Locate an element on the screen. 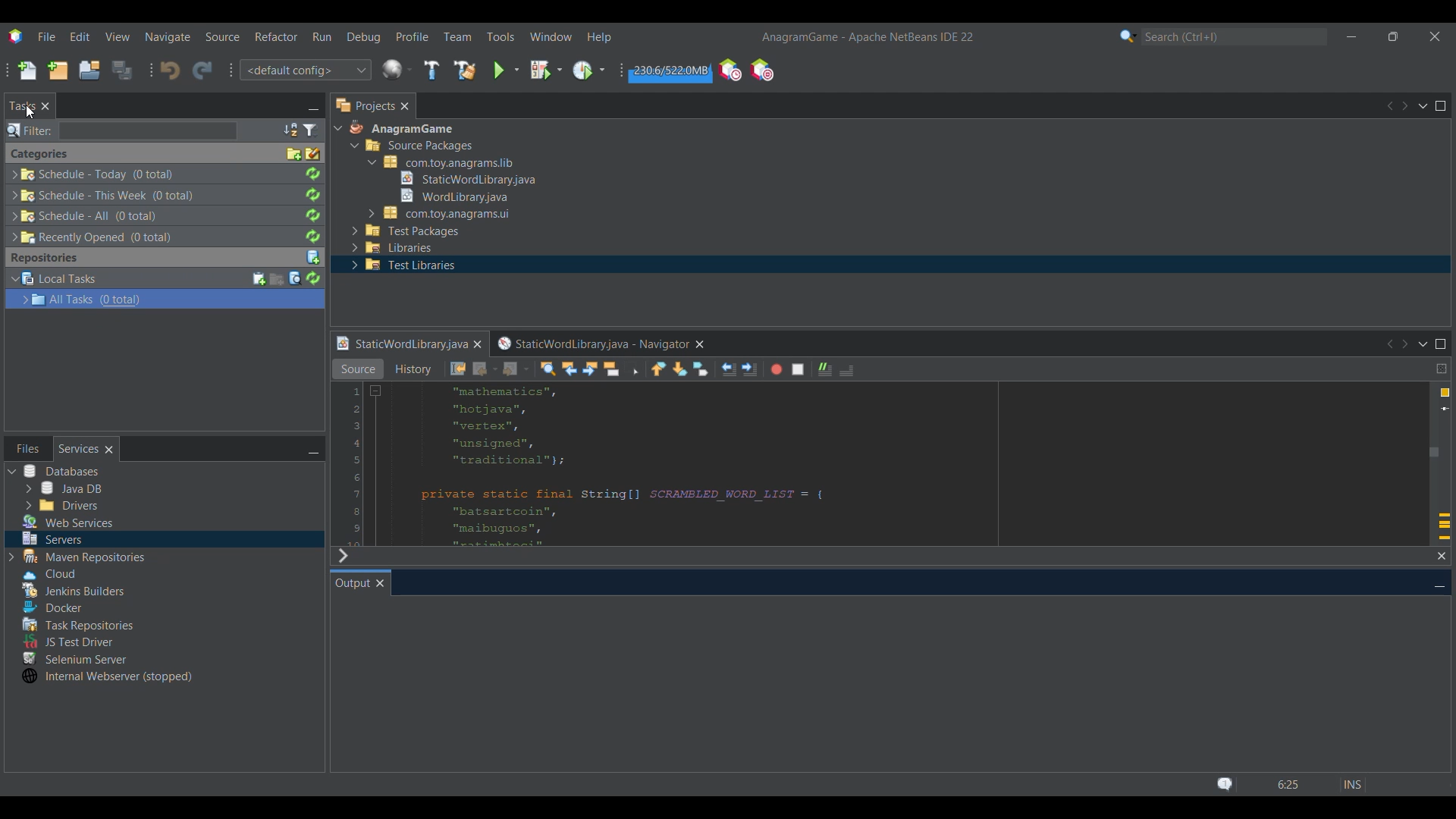  Search task in repository is located at coordinates (295, 278).